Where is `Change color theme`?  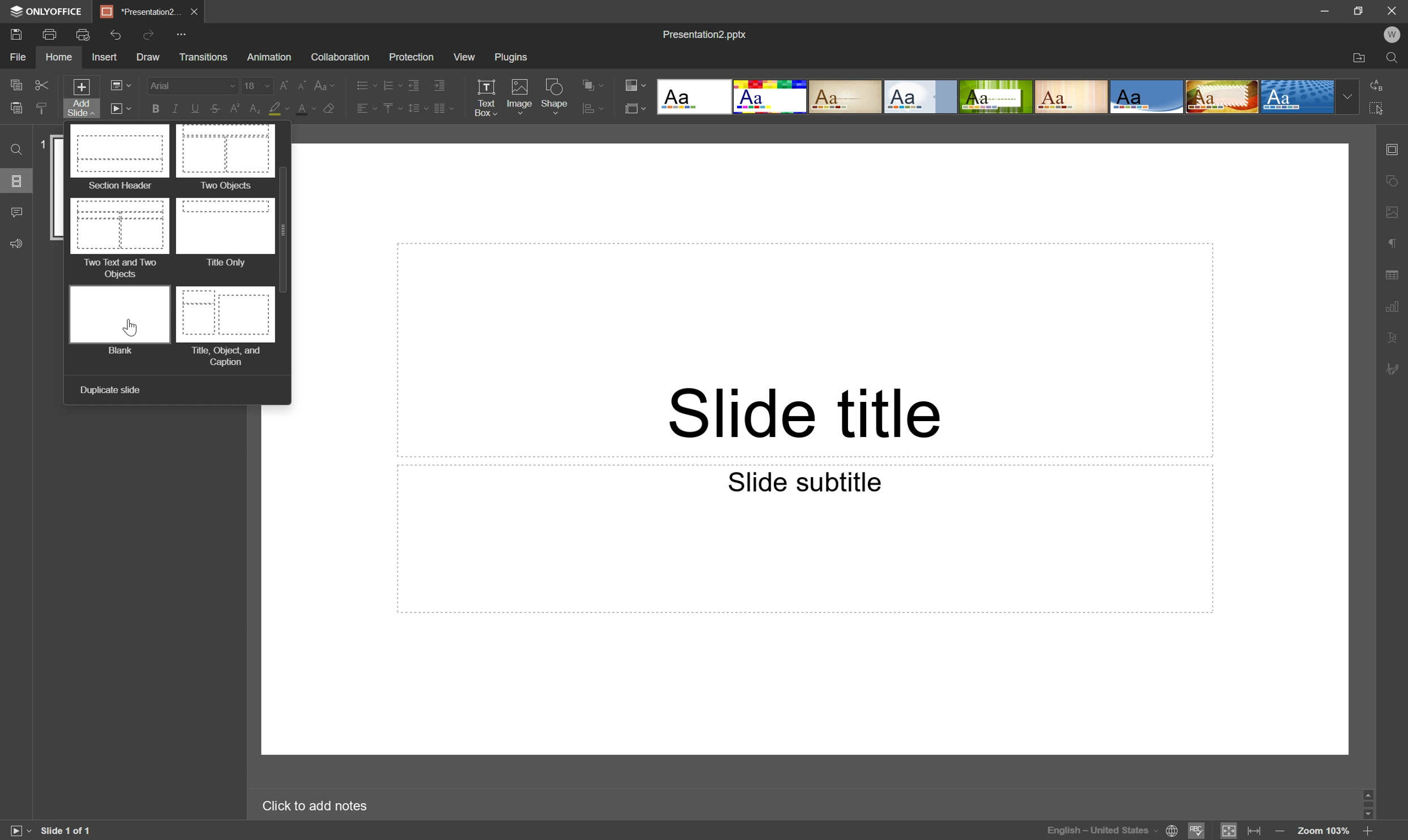 Change color theme is located at coordinates (635, 83).